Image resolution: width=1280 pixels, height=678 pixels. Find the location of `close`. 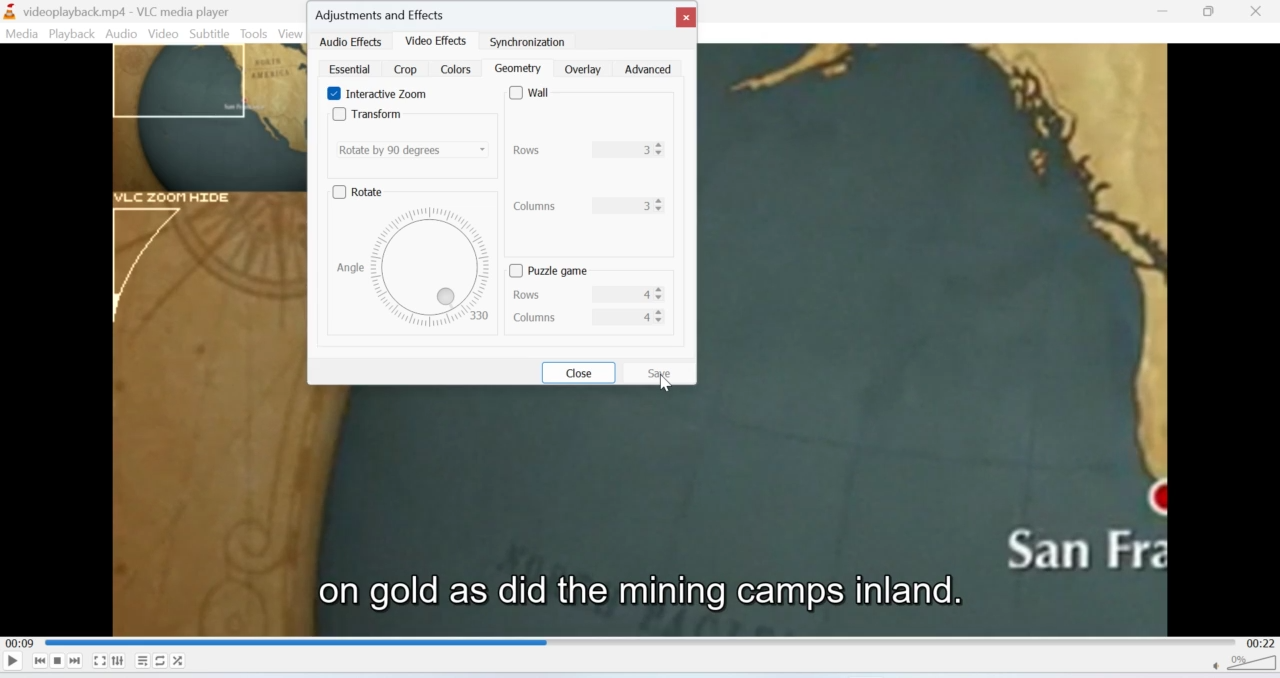

close is located at coordinates (579, 373).